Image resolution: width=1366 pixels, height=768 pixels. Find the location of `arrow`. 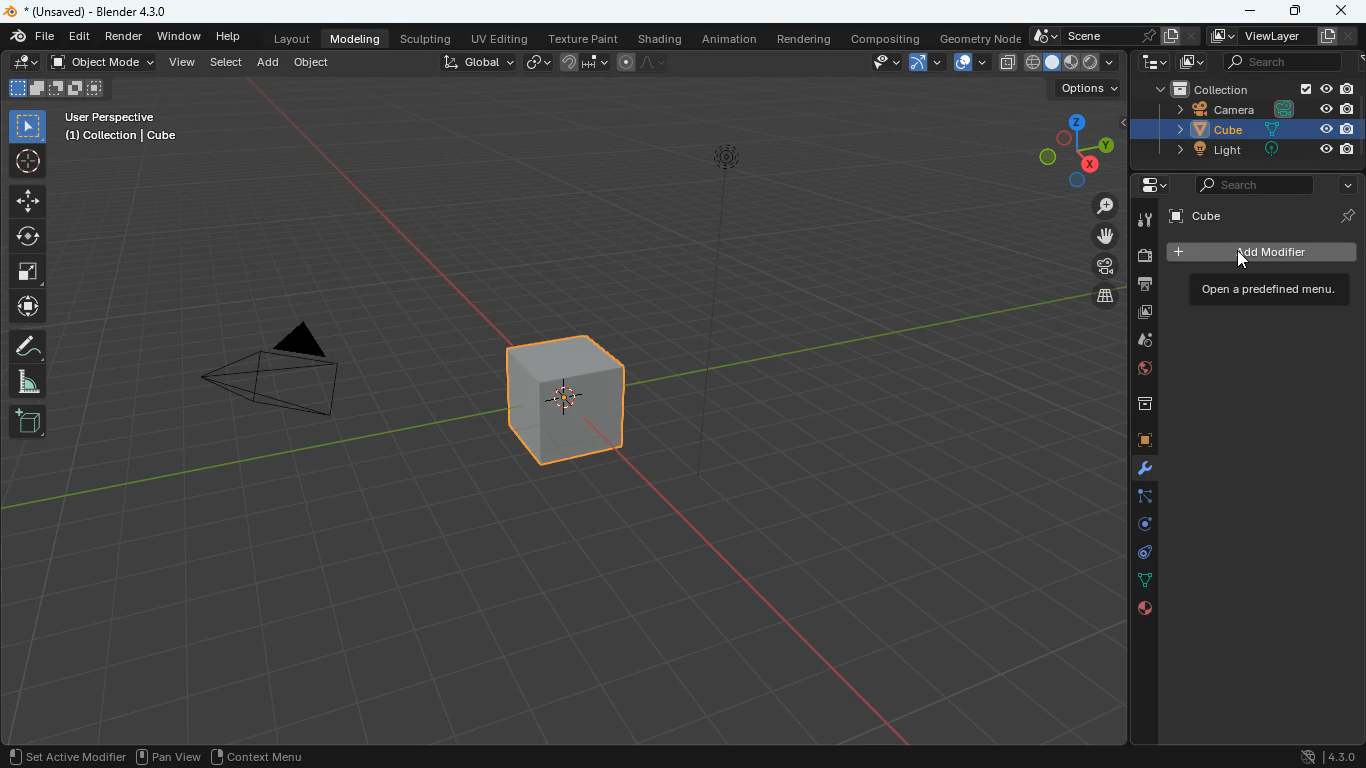

arrow is located at coordinates (924, 63).